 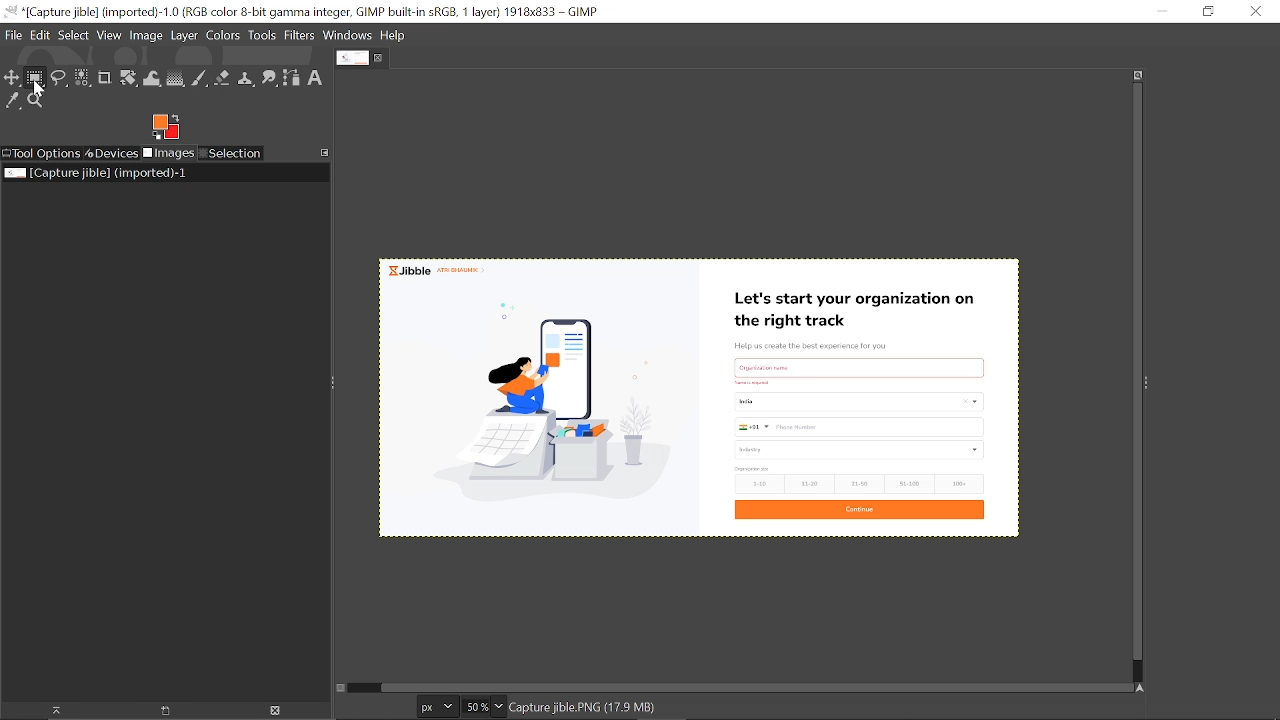 I want to click on Select, so click(x=74, y=35).